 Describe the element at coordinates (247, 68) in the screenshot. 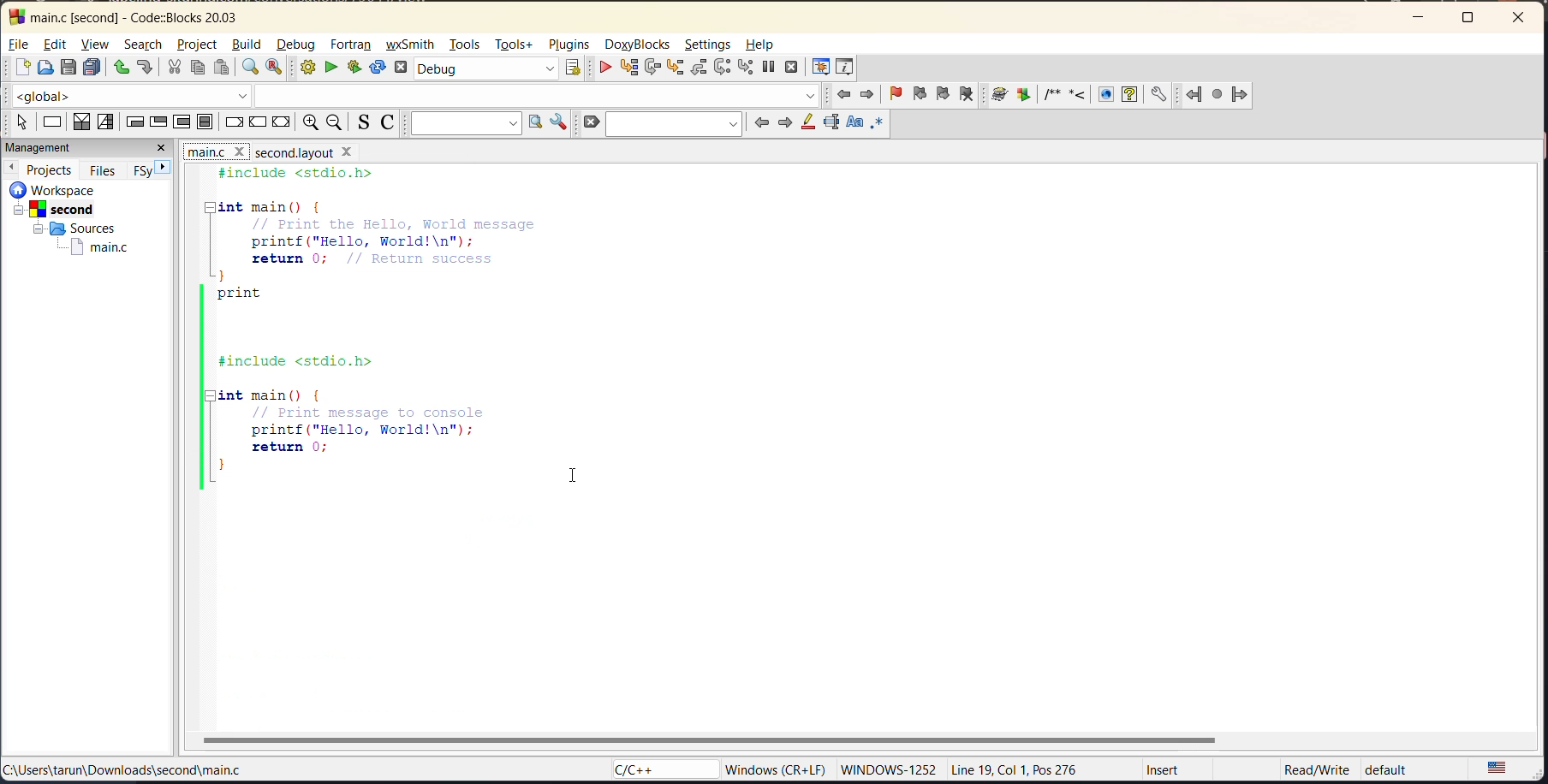

I see `find` at that location.